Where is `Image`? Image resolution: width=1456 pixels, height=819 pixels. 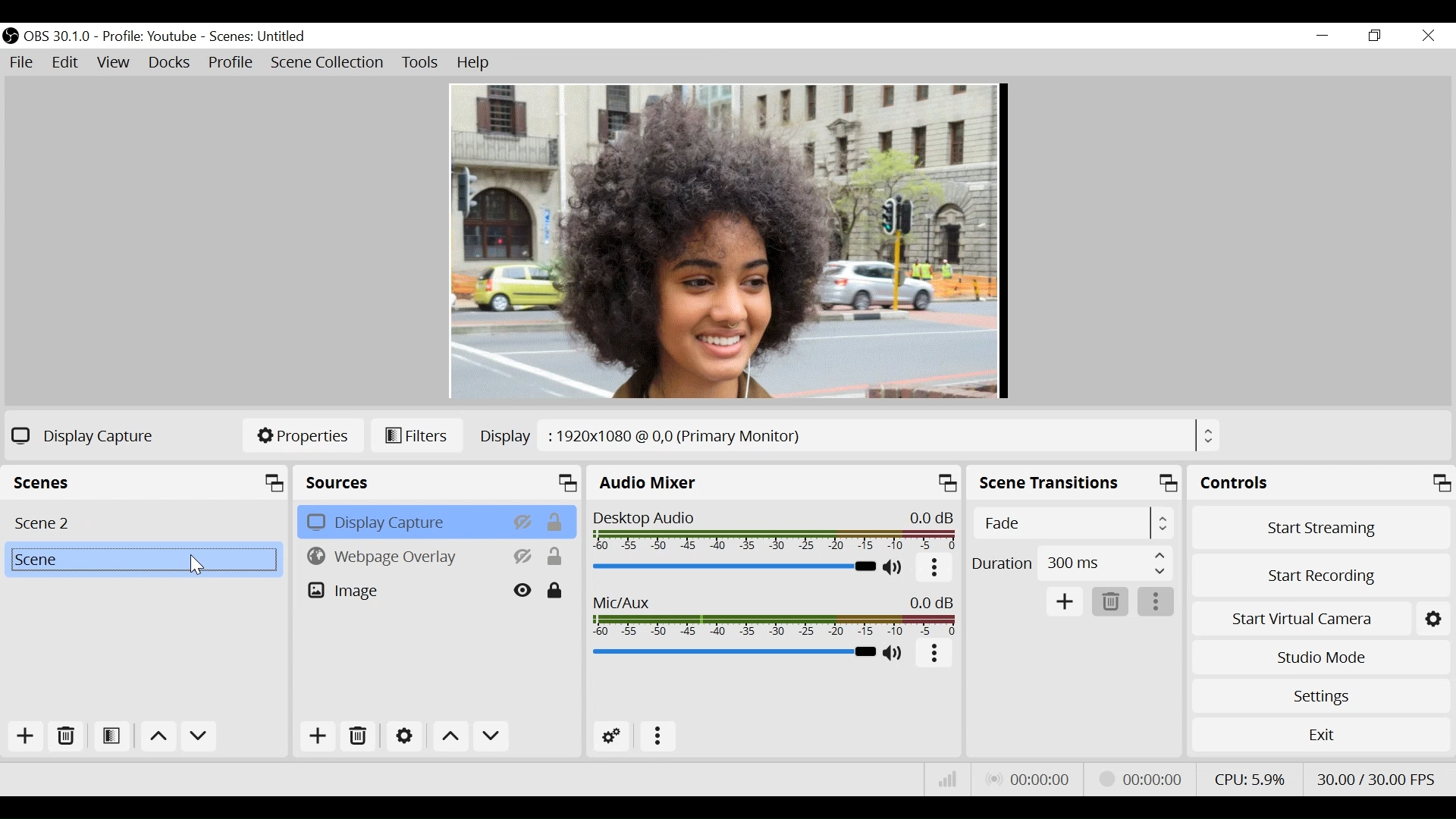 Image is located at coordinates (403, 589).